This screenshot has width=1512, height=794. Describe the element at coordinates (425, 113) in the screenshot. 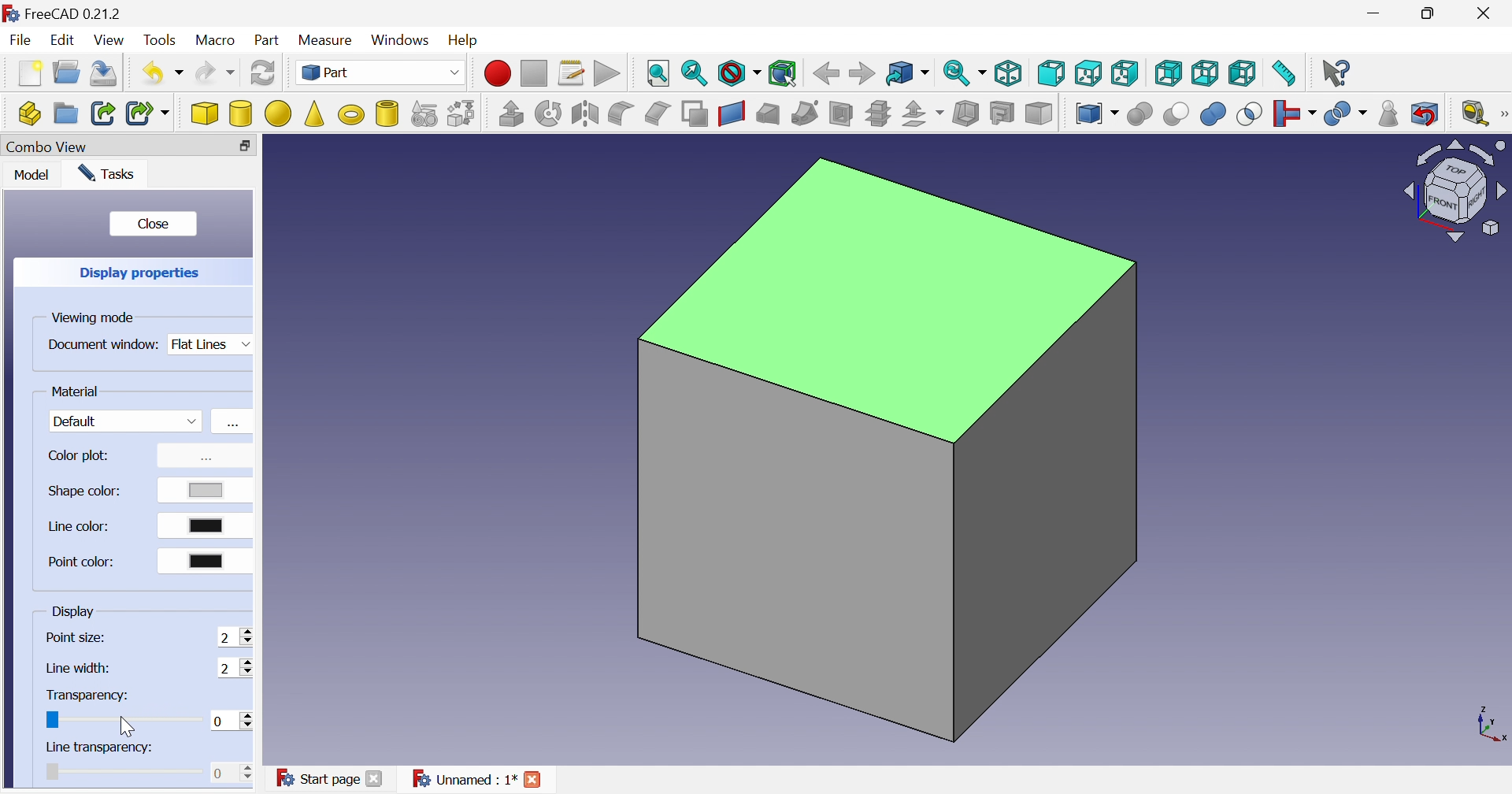

I see `Create primitives` at that location.